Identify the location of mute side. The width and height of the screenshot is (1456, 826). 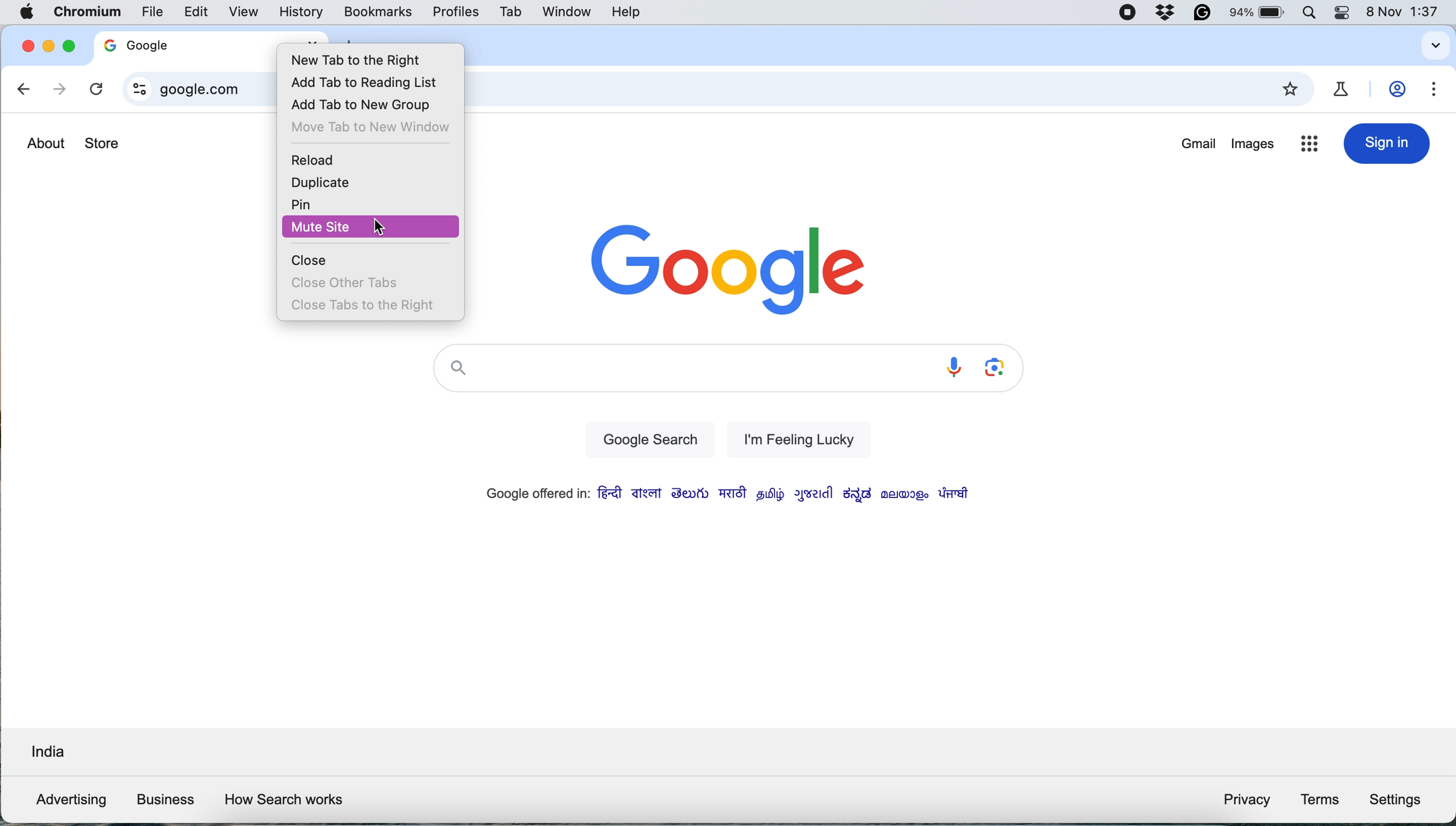
(372, 227).